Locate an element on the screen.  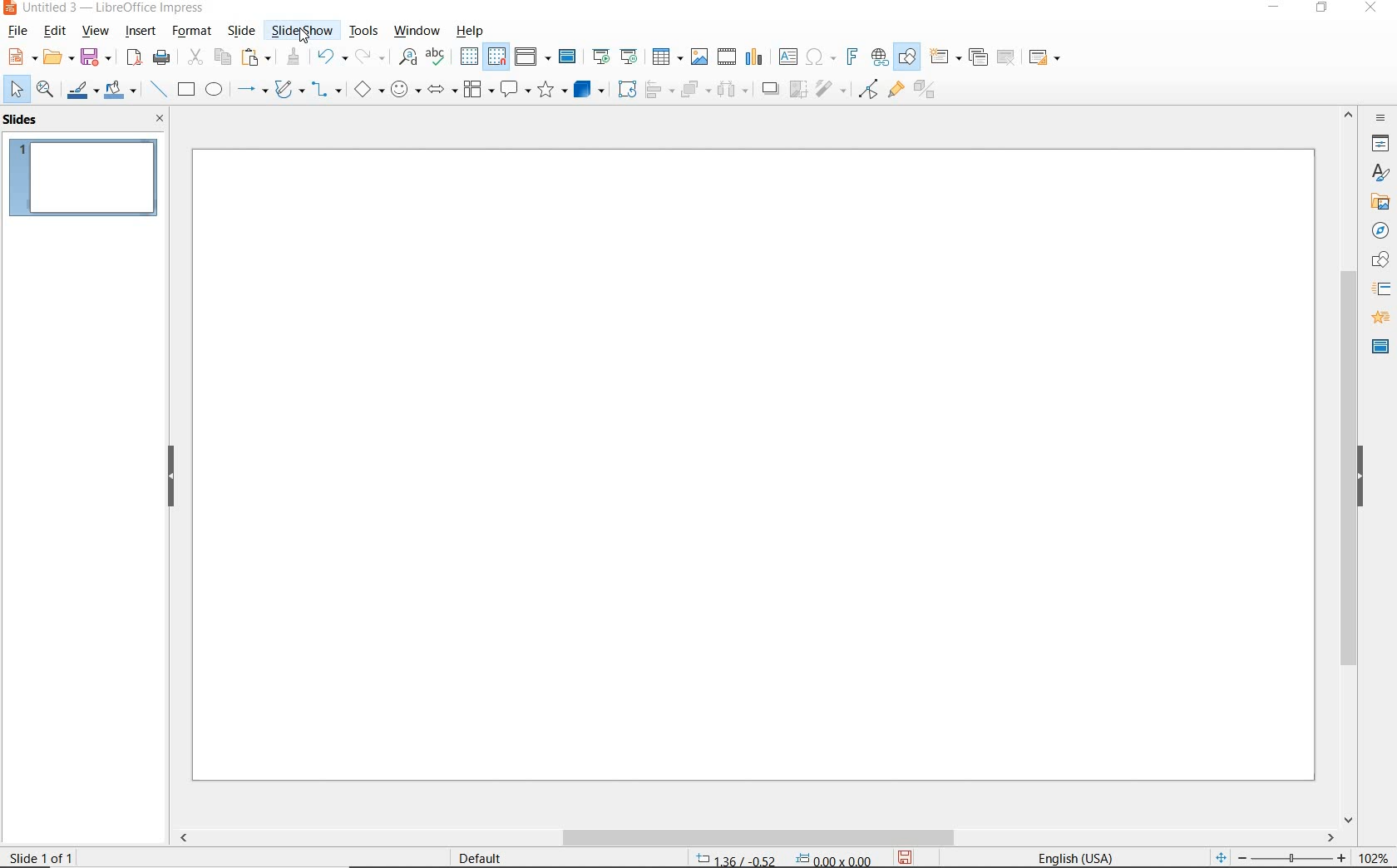
CLOSE is located at coordinates (160, 118).